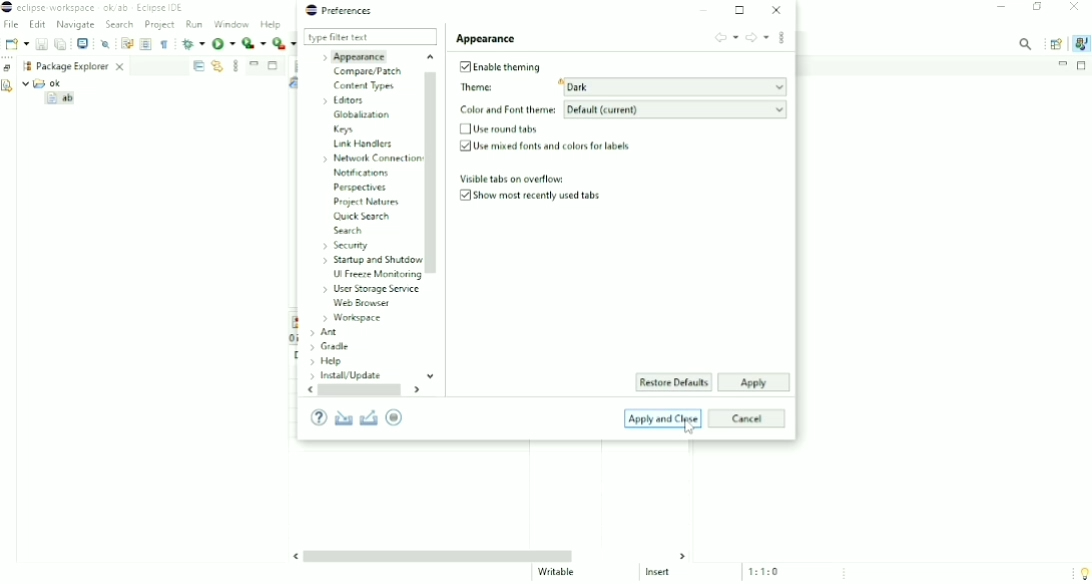 Image resolution: width=1092 pixels, height=584 pixels. Describe the element at coordinates (741, 10) in the screenshot. I see `Maximize` at that location.